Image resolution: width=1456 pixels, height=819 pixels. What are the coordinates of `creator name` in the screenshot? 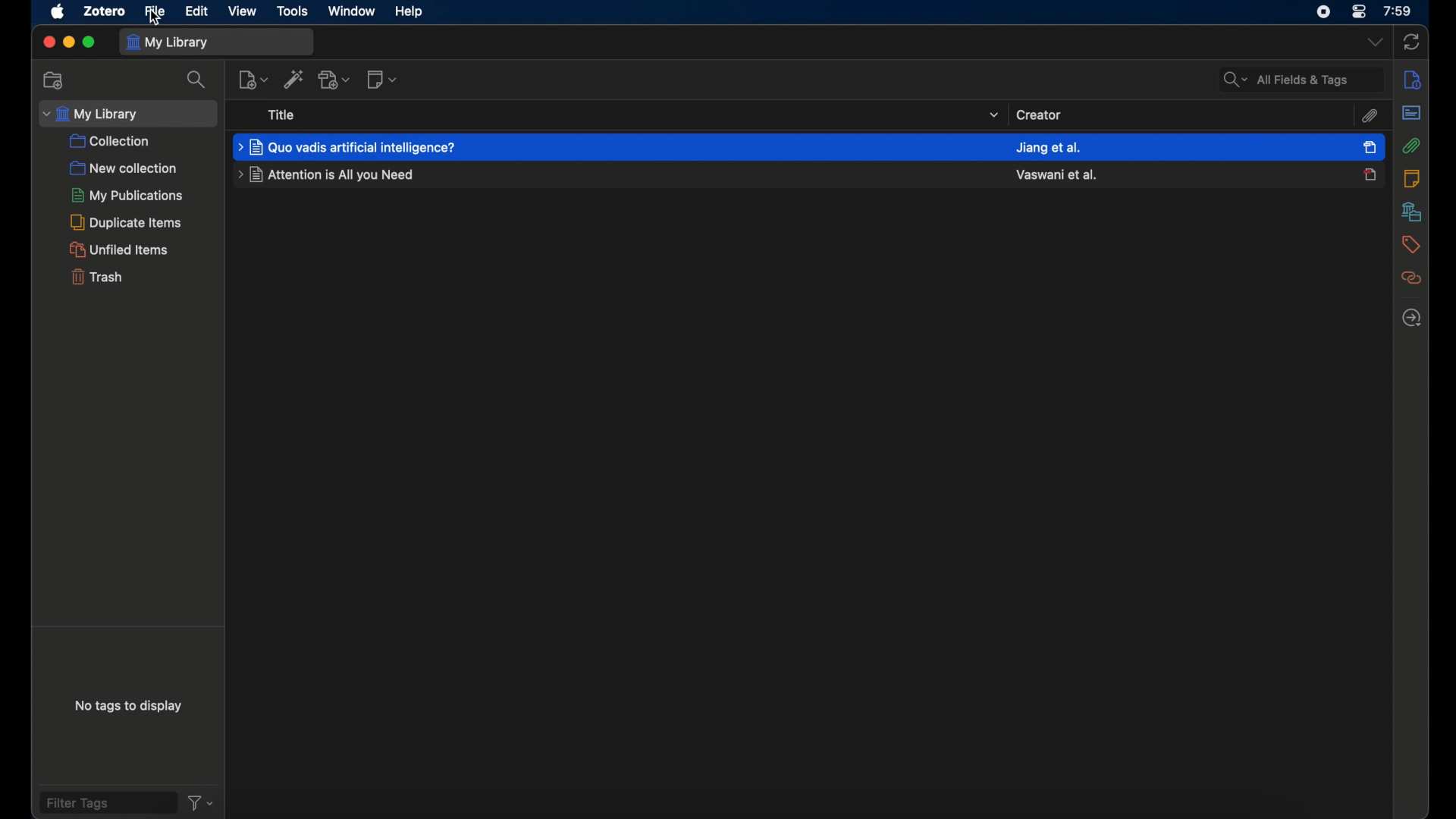 It's located at (1048, 148).